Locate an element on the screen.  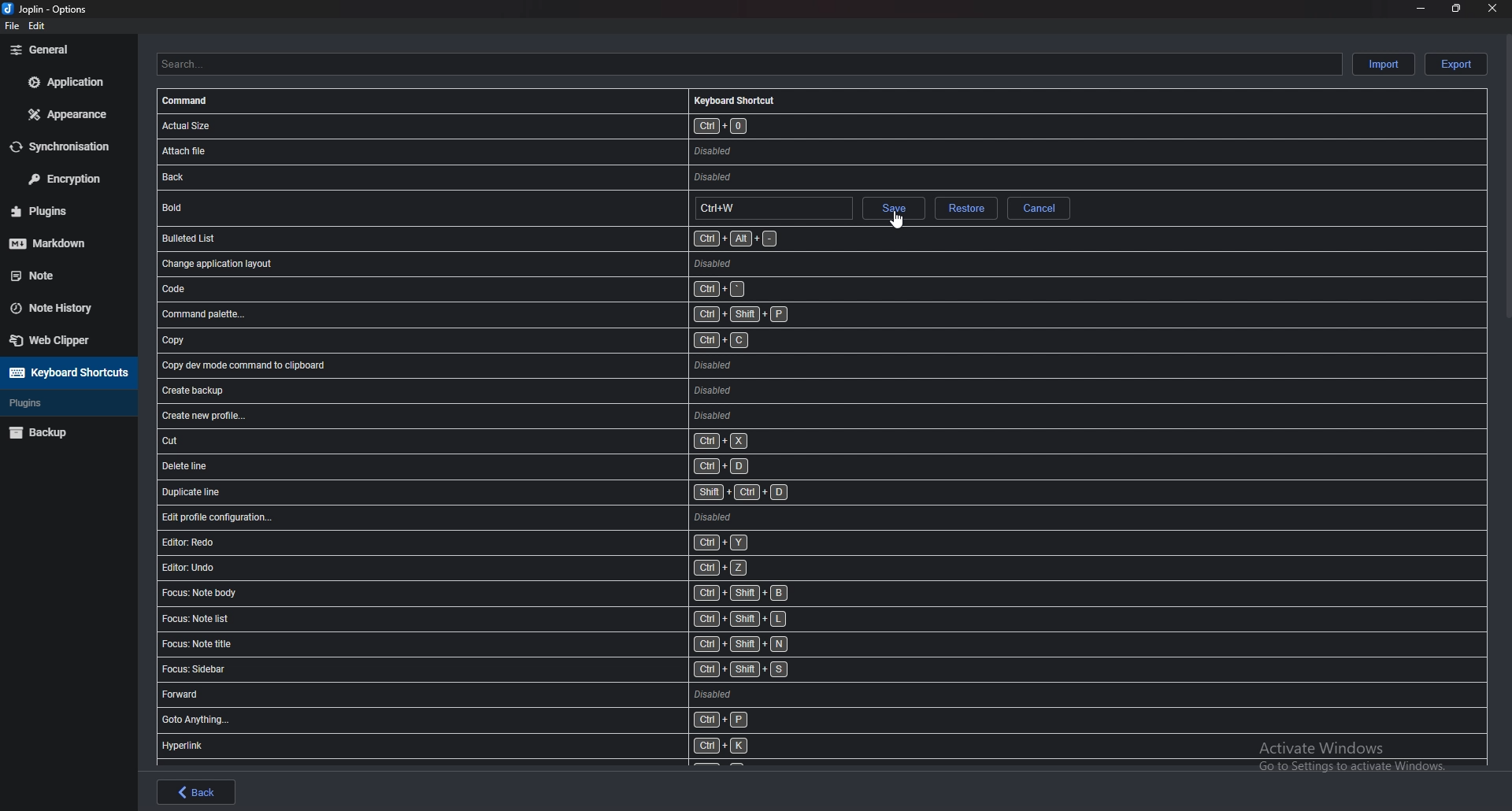
shortcut is located at coordinates (542, 467).